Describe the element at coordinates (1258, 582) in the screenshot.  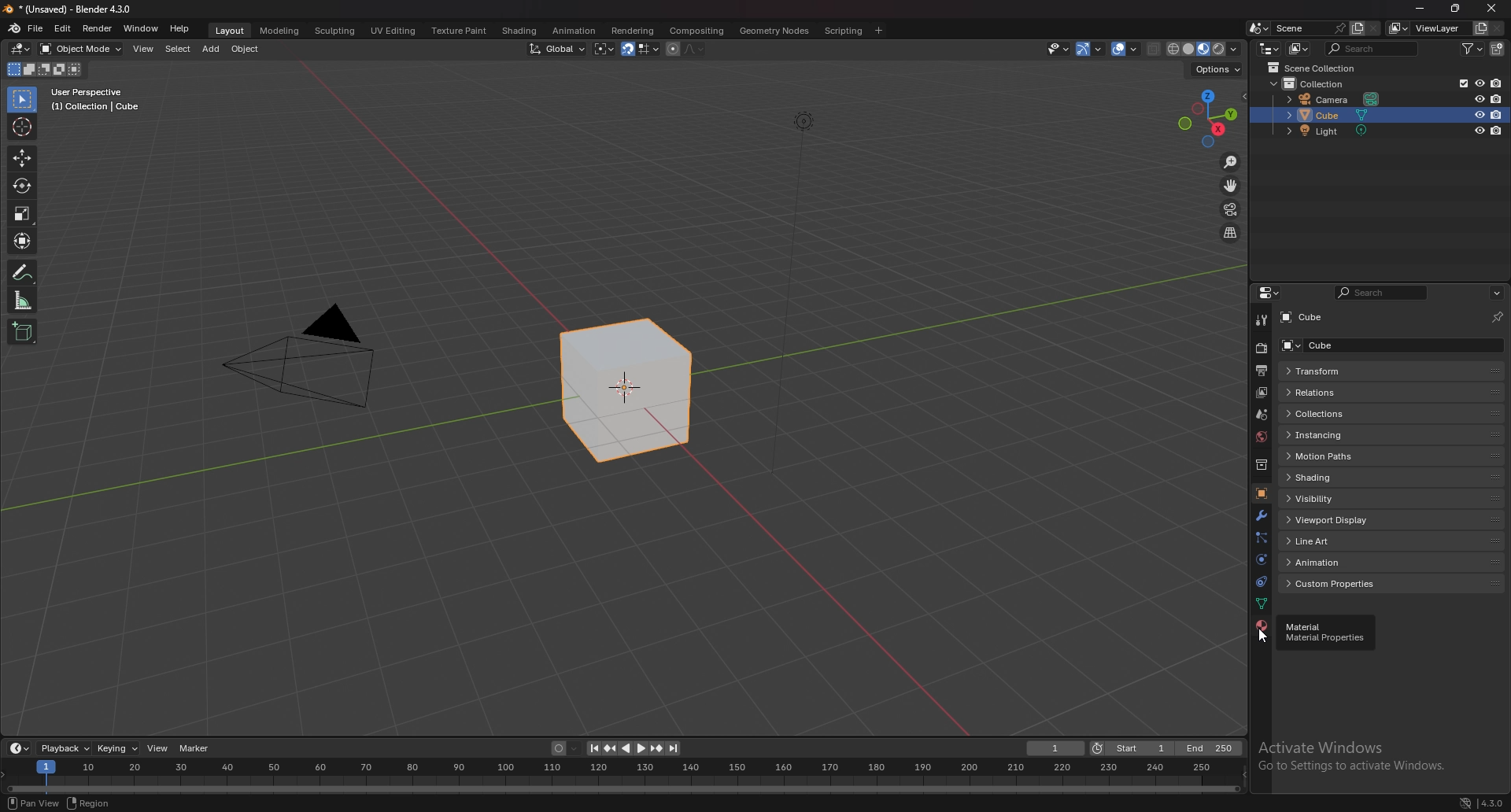
I see `constraints` at that location.